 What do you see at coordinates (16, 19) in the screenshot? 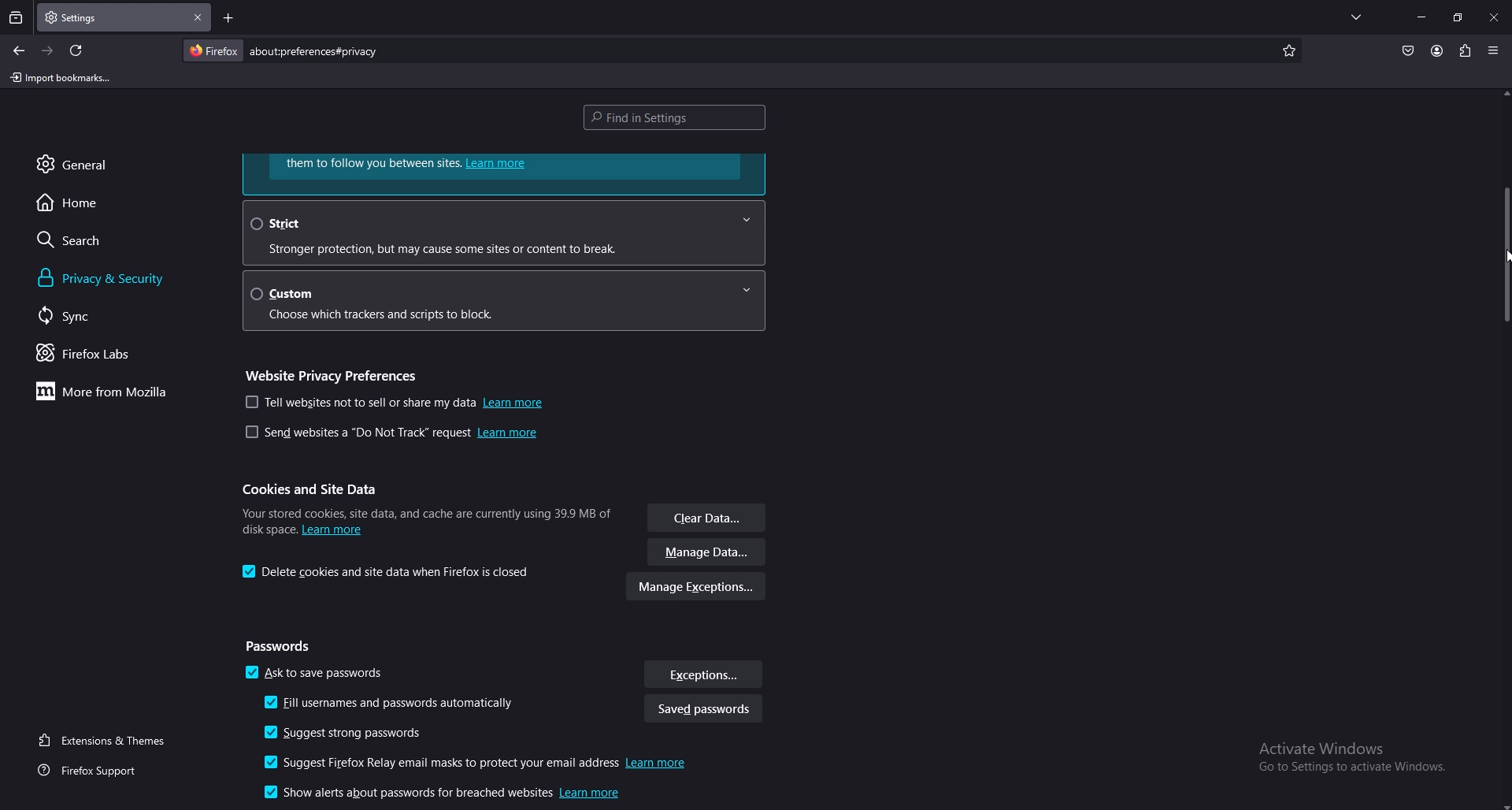
I see `recent browsing` at bounding box center [16, 19].